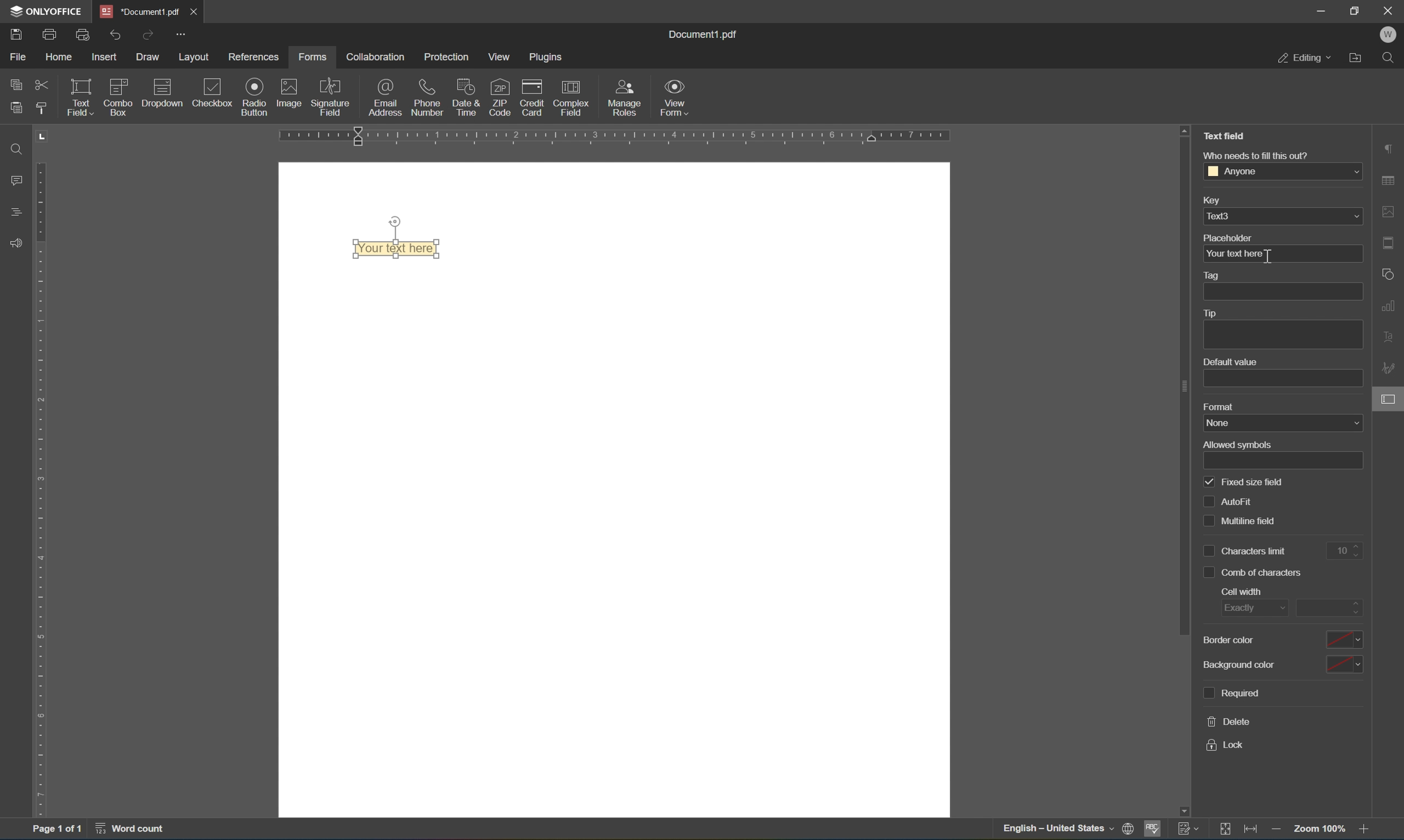 The height and width of the screenshot is (840, 1404). Describe the element at coordinates (195, 57) in the screenshot. I see `layout` at that location.